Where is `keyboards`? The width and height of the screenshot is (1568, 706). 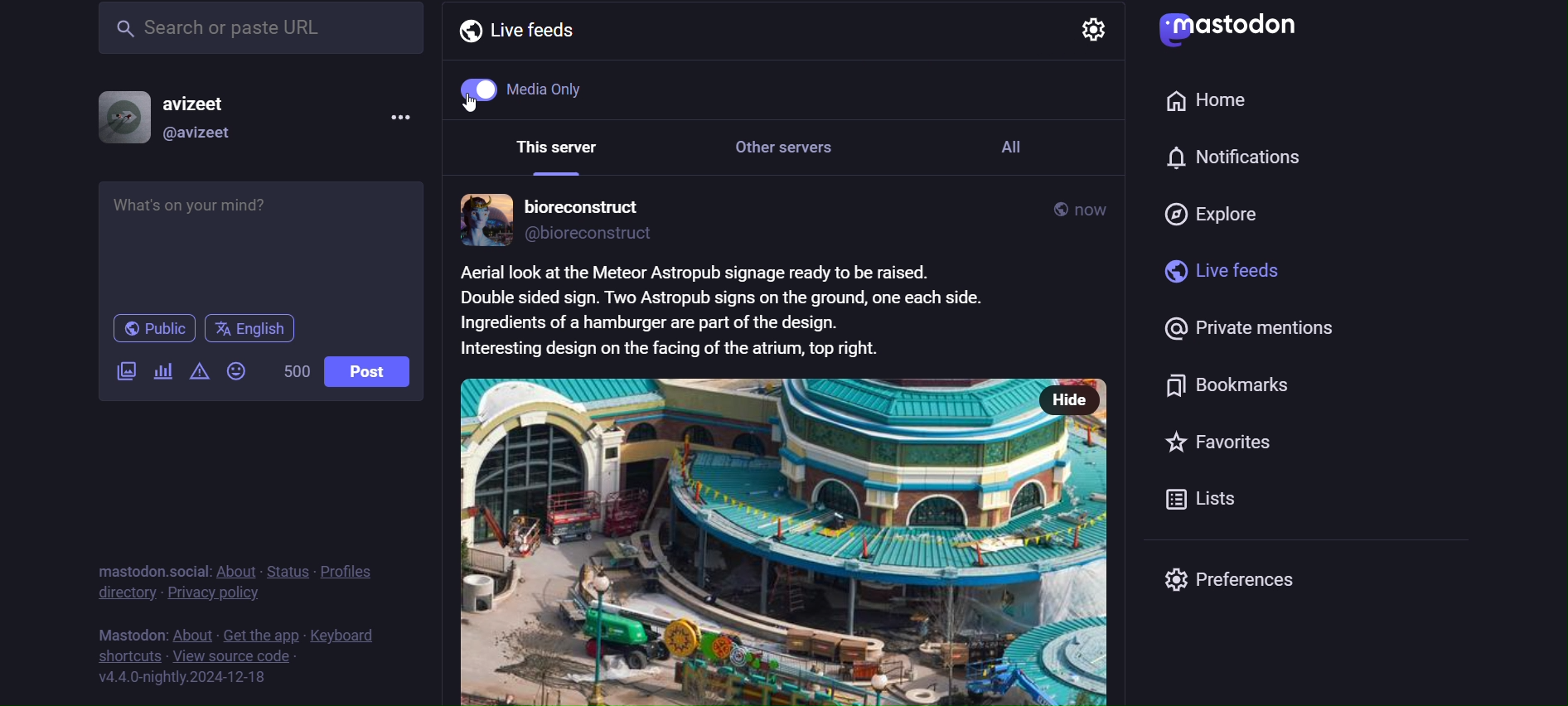 keyboards is located at coordinates (346, 628).